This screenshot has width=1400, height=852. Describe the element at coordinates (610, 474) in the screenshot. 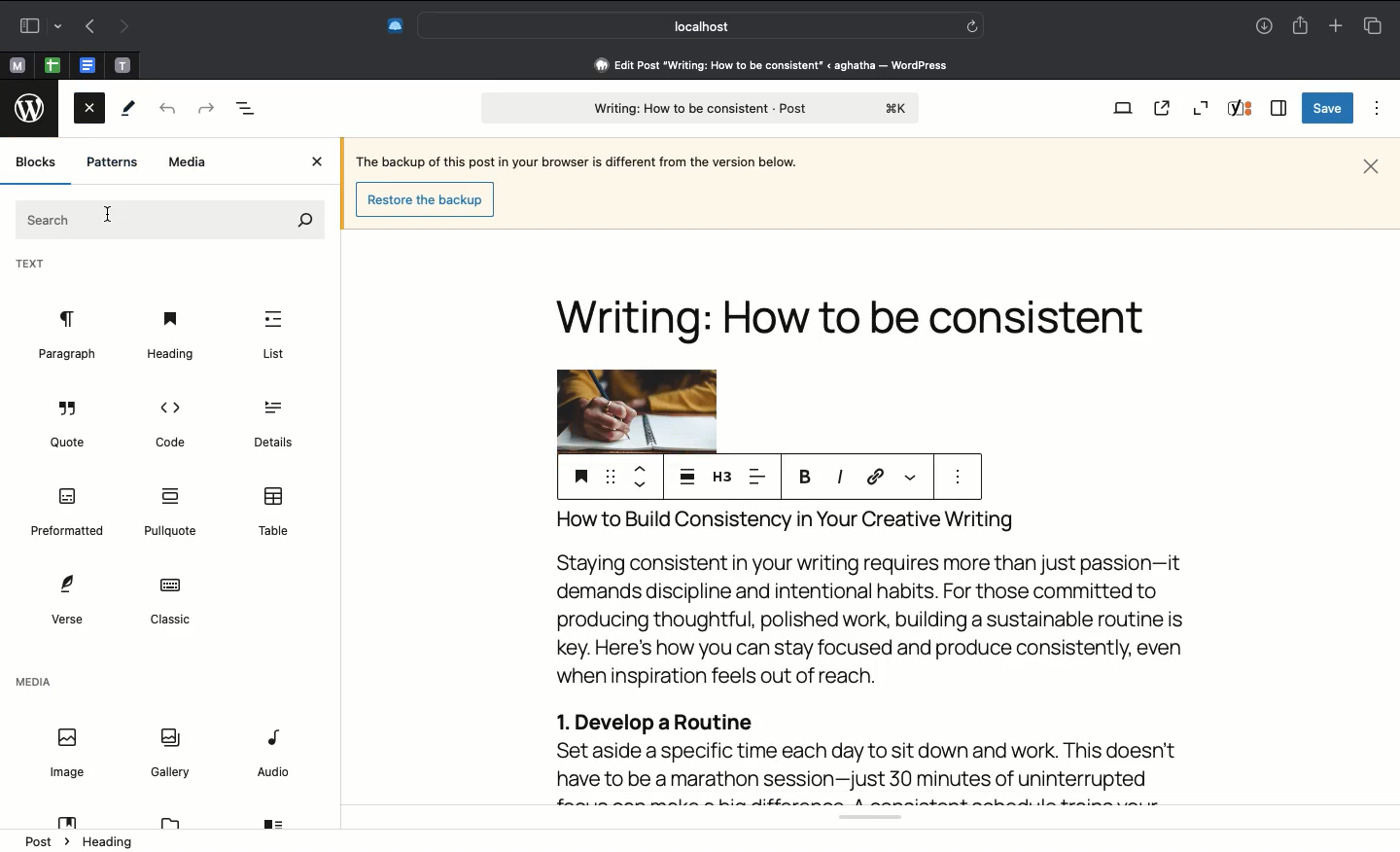

I see `Drag` at that location.